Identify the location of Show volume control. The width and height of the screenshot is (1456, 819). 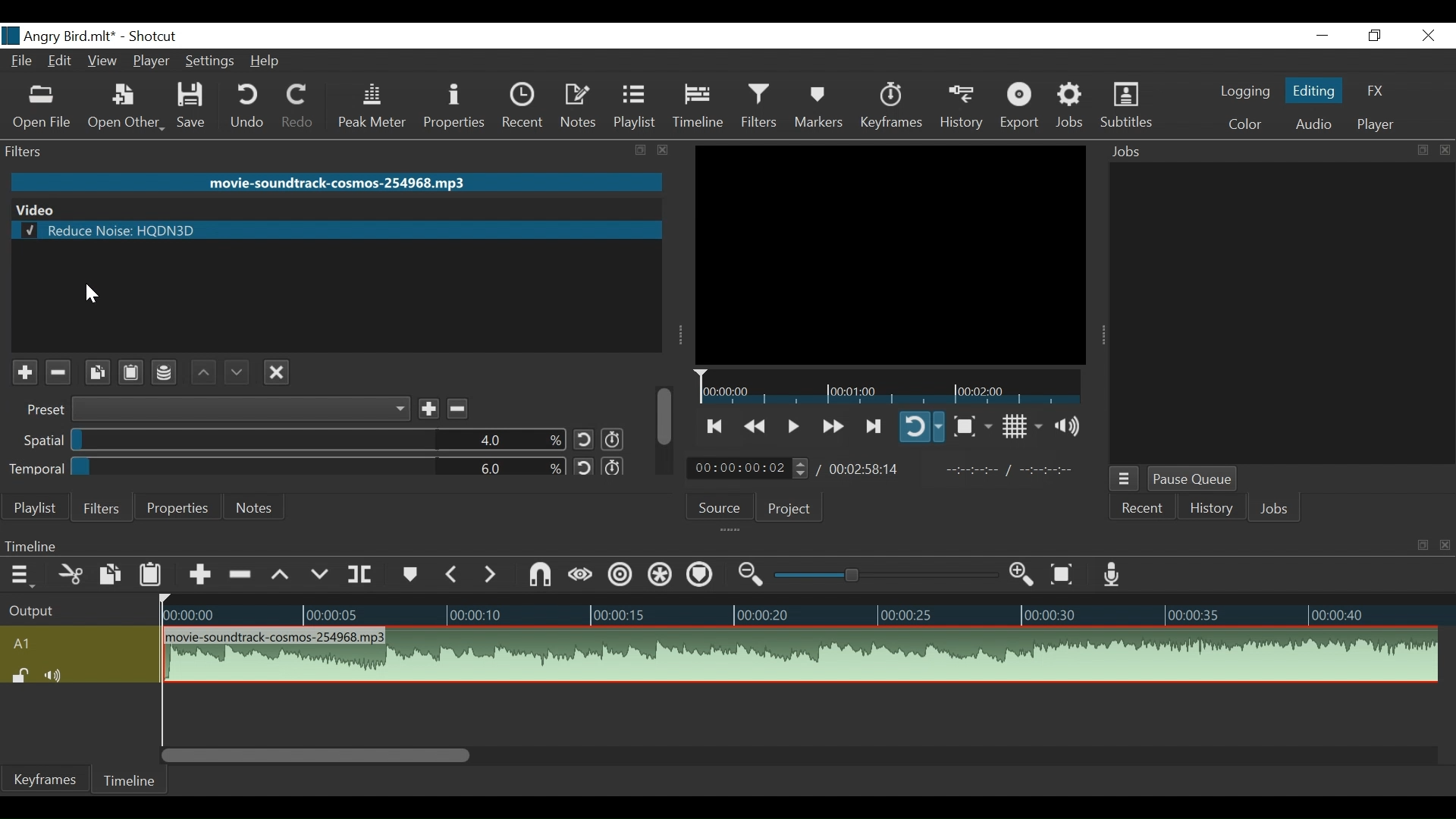
(1071, 428).